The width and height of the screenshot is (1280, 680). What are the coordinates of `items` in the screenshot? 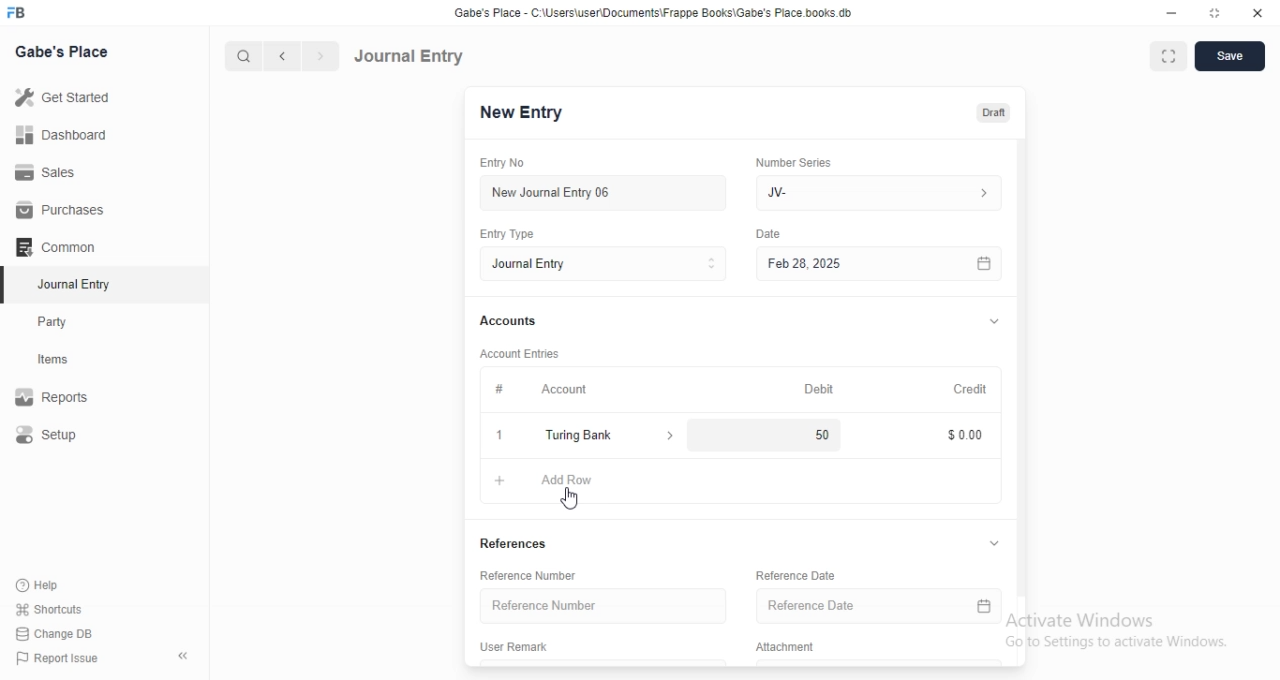 It's located at (66, 361).